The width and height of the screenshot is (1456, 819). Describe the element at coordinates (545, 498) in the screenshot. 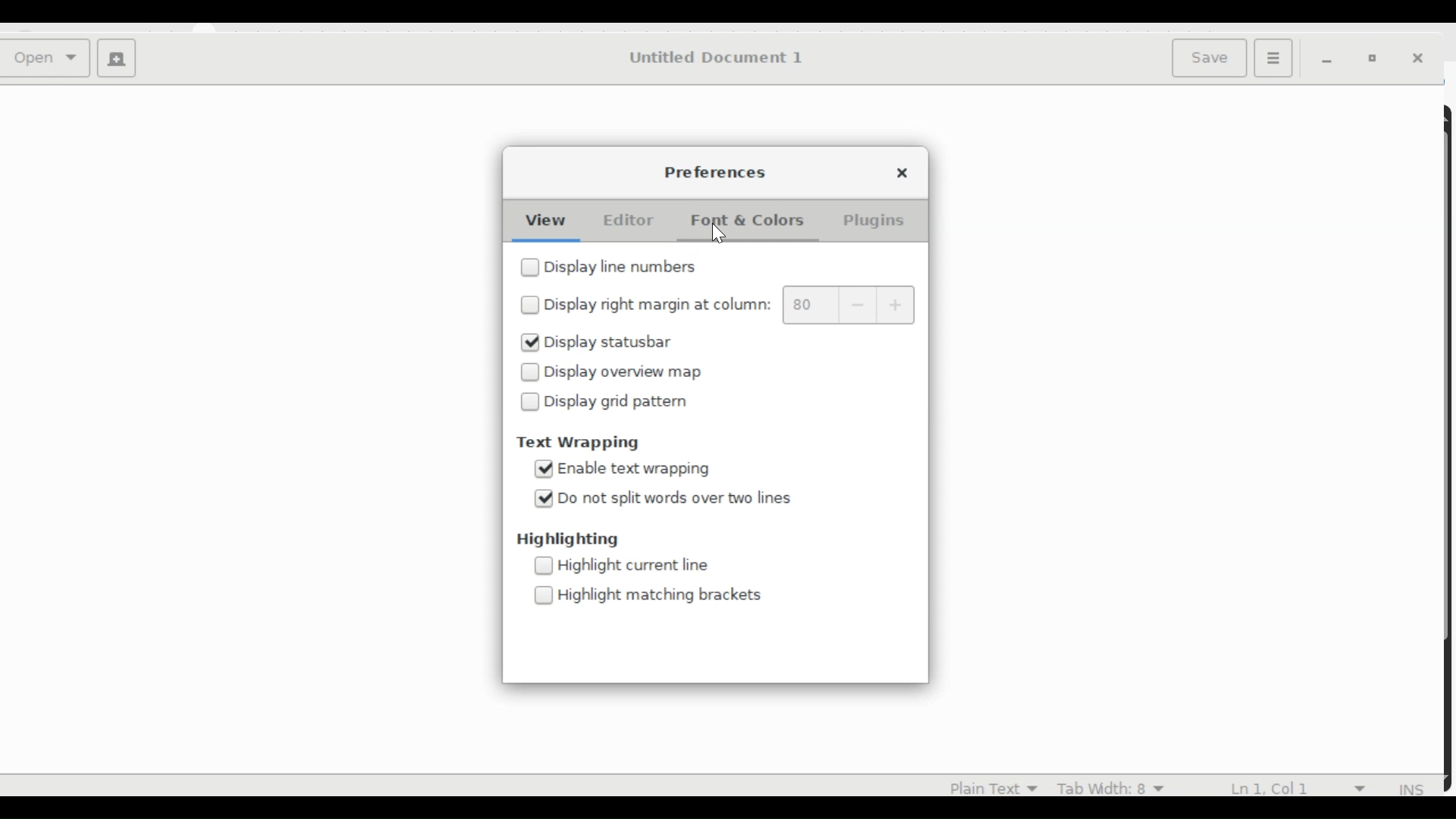

I see `checked checkbox` at that location.